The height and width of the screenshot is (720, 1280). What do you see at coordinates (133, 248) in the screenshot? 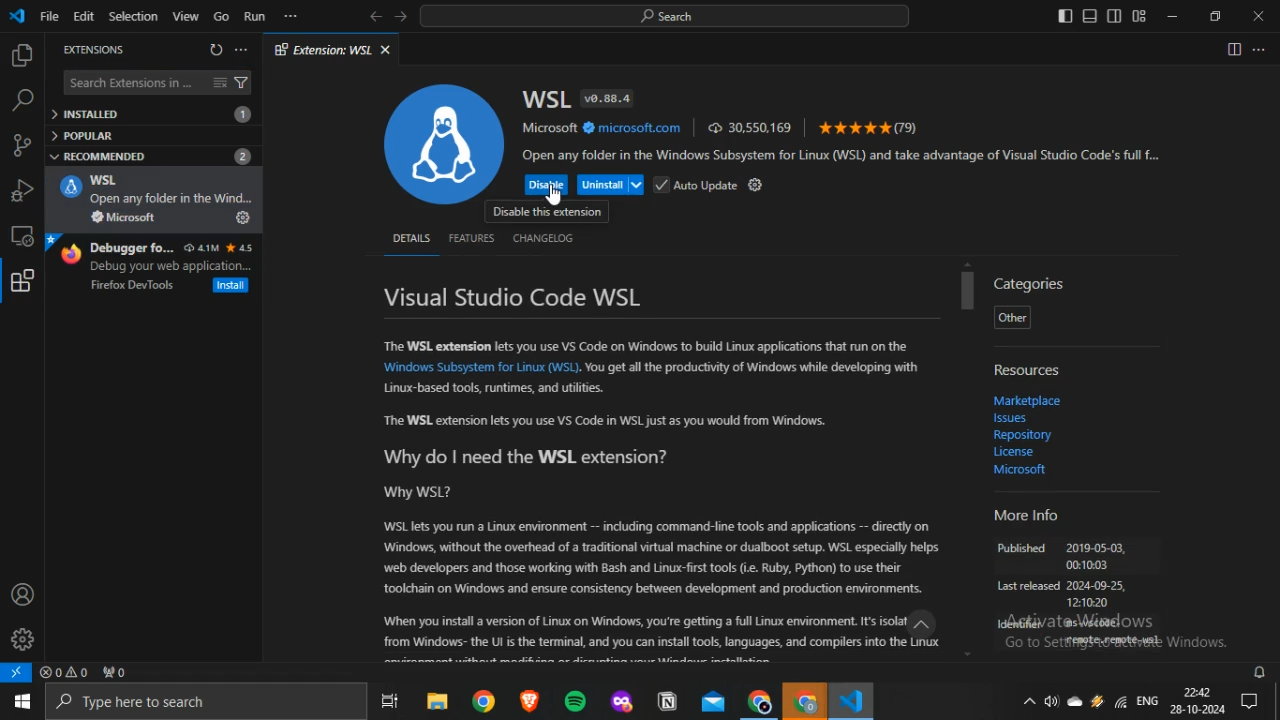
I see `Debugger fo...` at bounding box center [133, 248].